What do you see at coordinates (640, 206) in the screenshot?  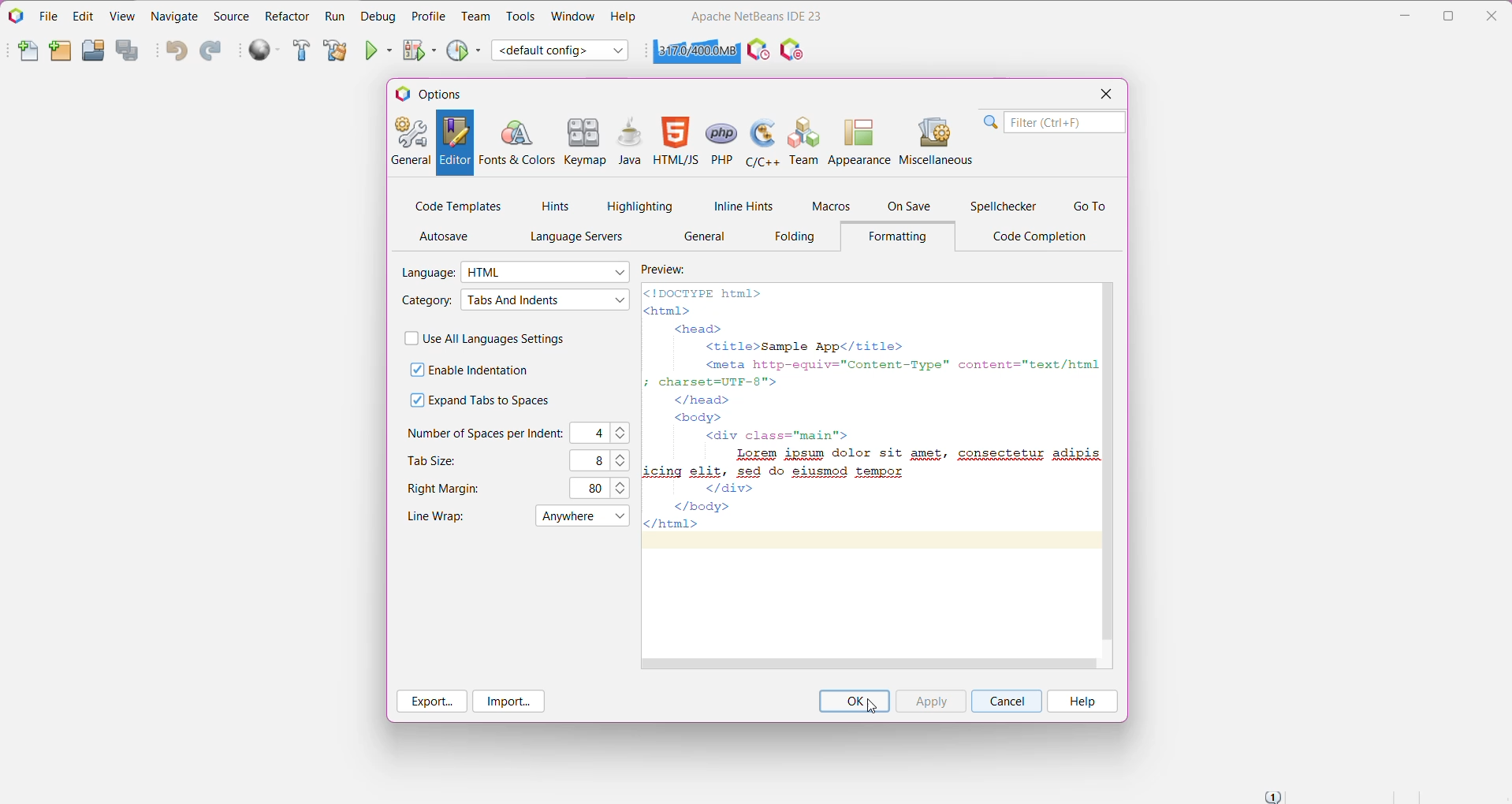 I see `Highlighting` at bounding box center [640, 206].